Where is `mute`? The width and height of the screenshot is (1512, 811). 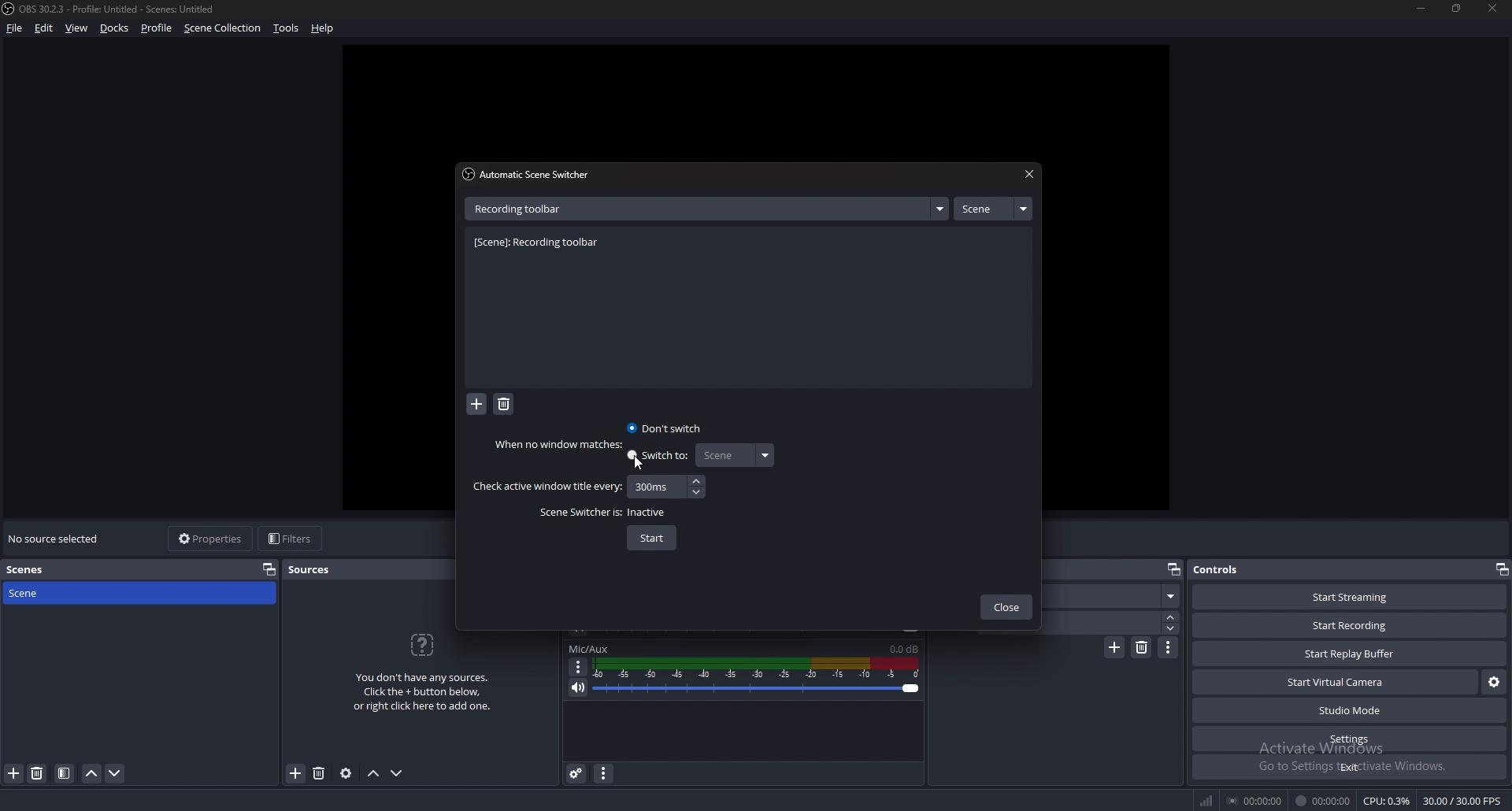
mute is located at coordinates (579, 687).